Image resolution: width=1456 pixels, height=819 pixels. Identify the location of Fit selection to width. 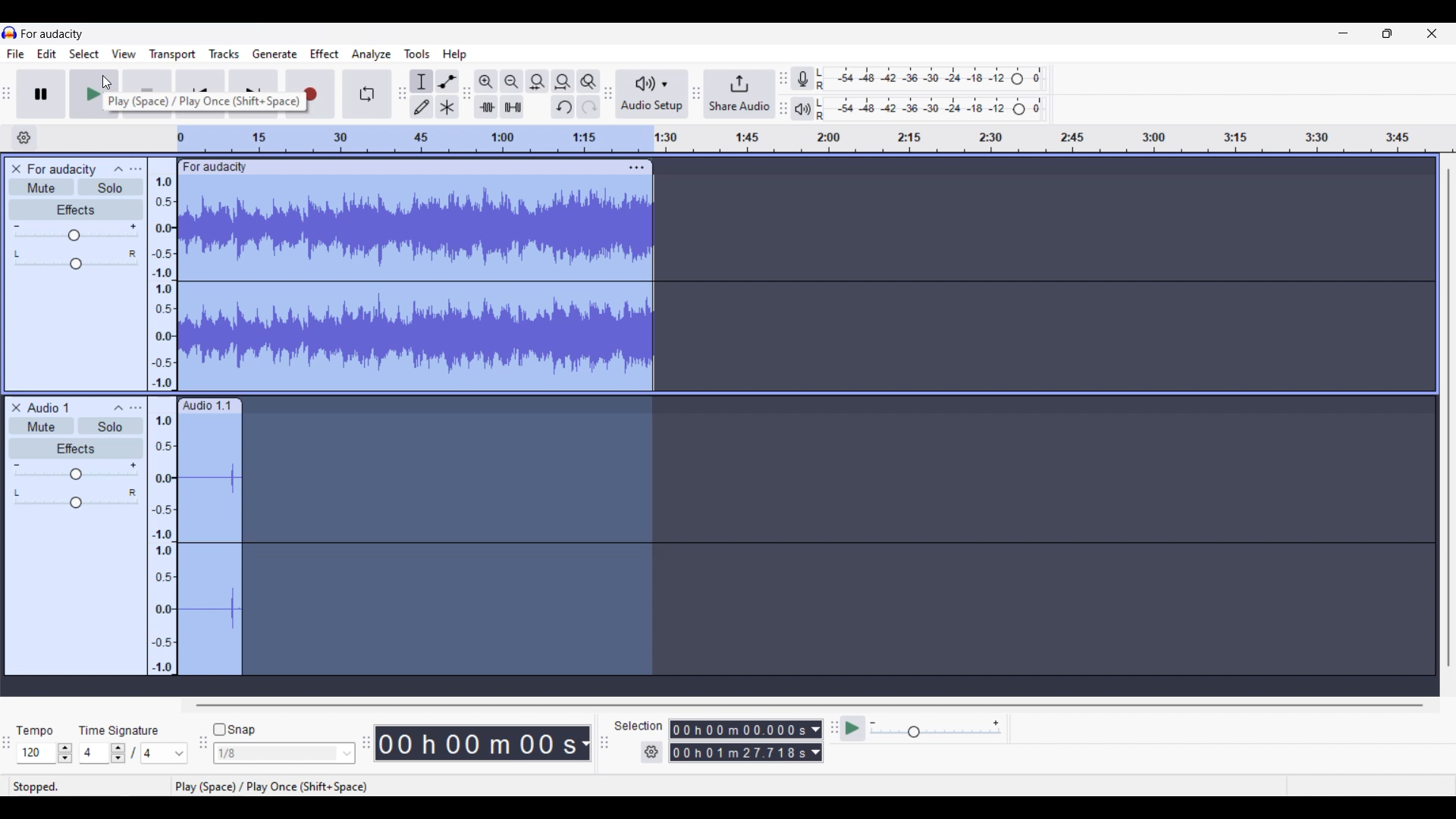
(538, 81).